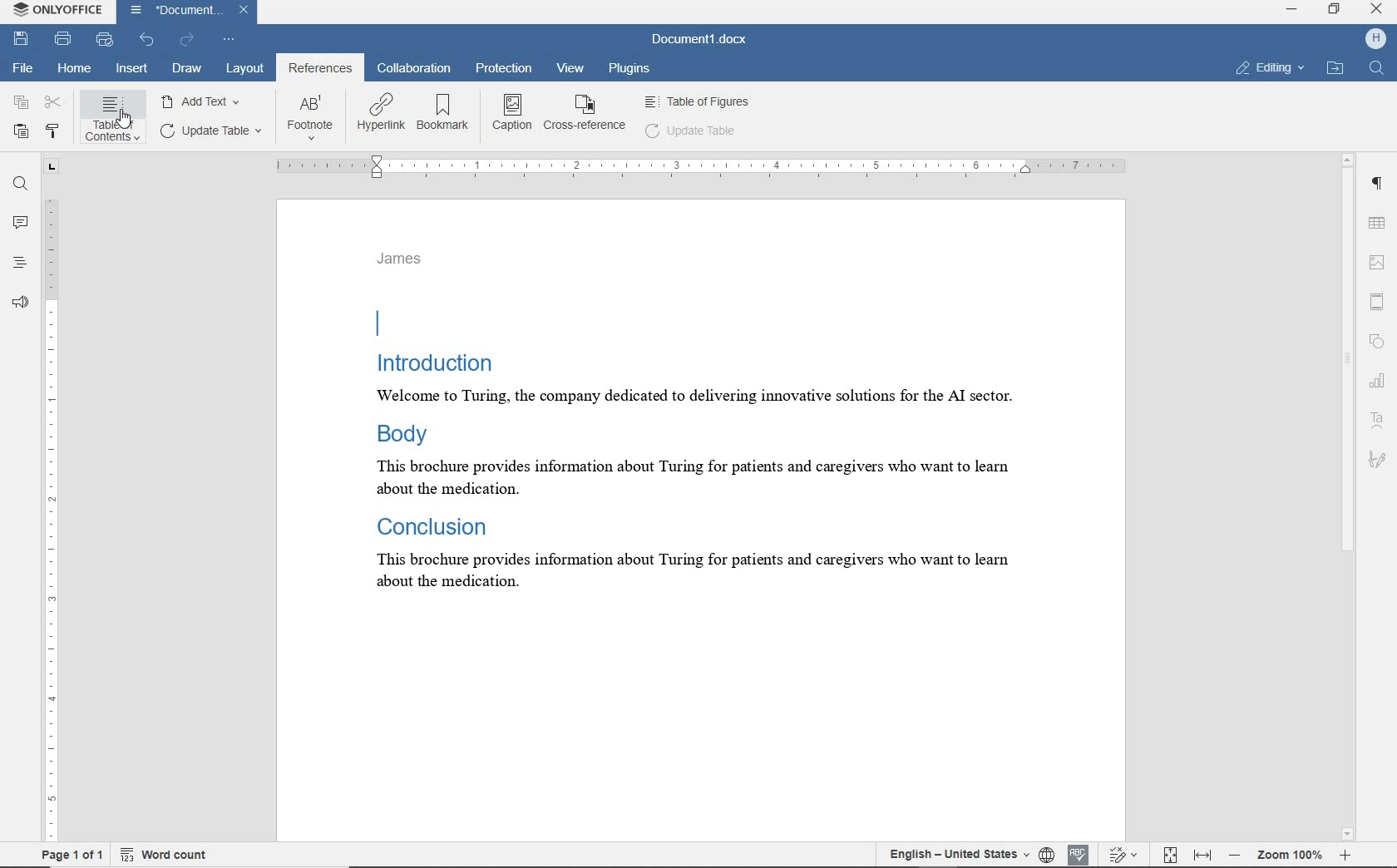 The image size is (1397, 868). I want to click on system name, so click(58, 11).